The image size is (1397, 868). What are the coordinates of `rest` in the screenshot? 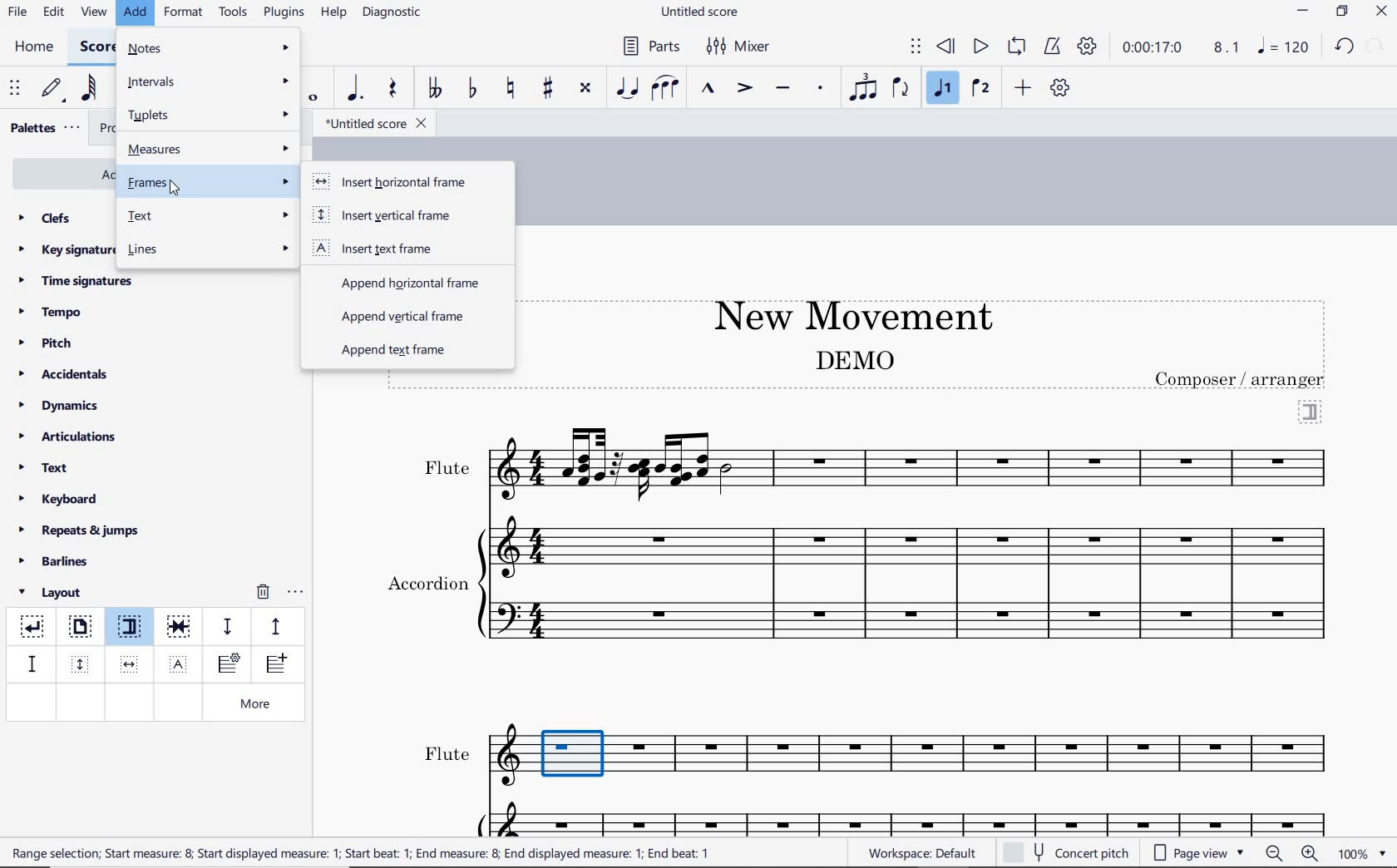 It's located at (393, 90).